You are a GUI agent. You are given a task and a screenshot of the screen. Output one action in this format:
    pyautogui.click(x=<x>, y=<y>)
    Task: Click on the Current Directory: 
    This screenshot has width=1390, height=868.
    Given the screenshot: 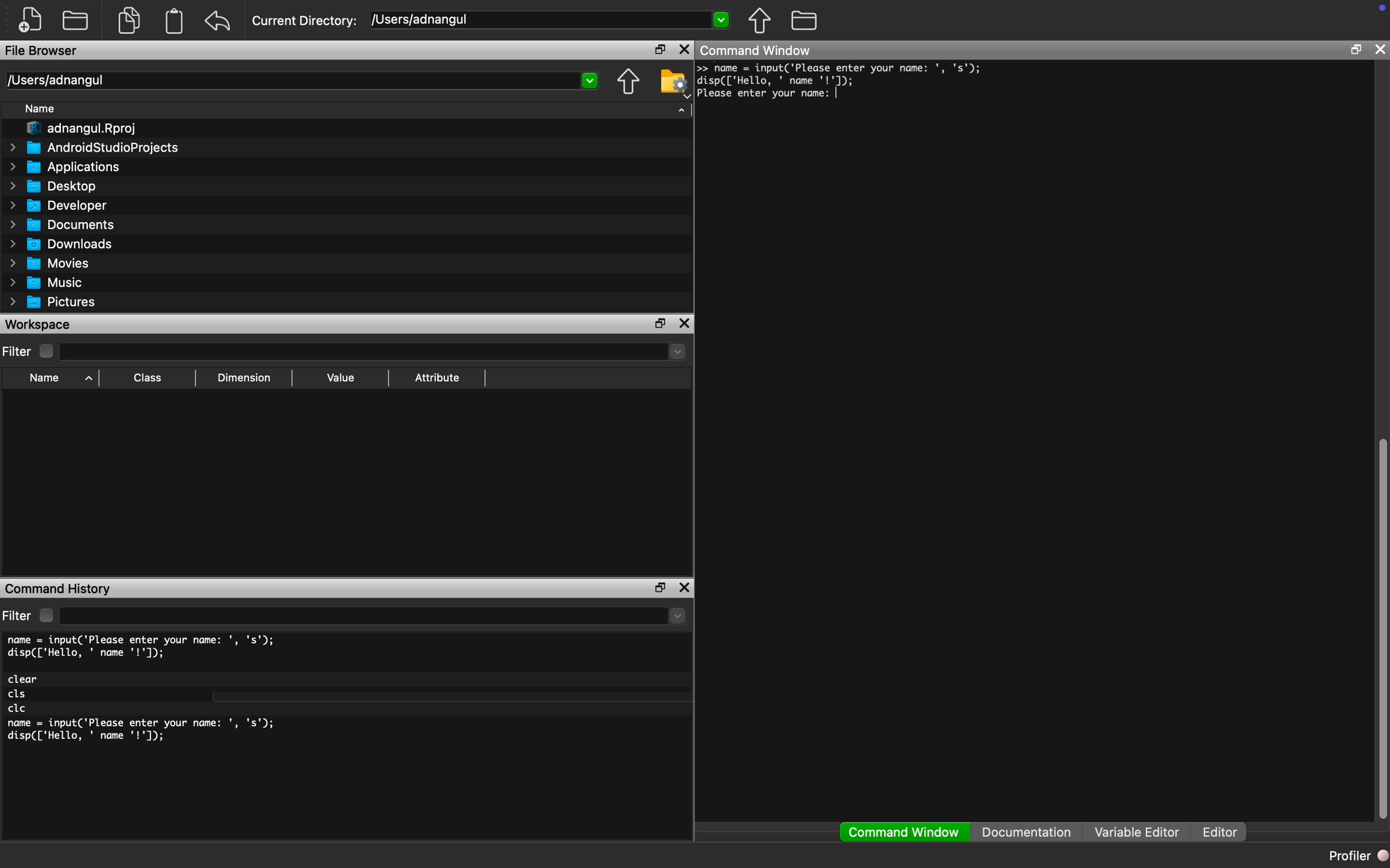 What is the action you would take?
    pyautogui.click(x=305, y=21)
    